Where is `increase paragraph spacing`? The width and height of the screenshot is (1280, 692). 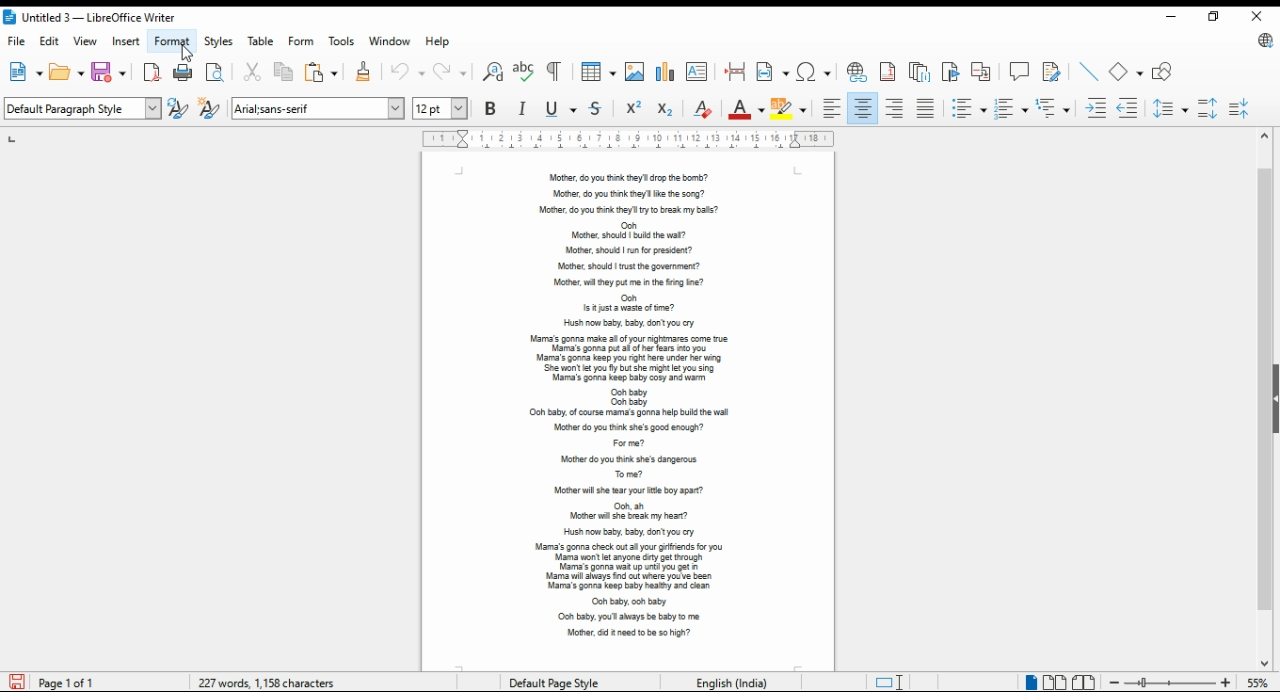
increase paragraph spacing is located at coordinates (1210, 108).